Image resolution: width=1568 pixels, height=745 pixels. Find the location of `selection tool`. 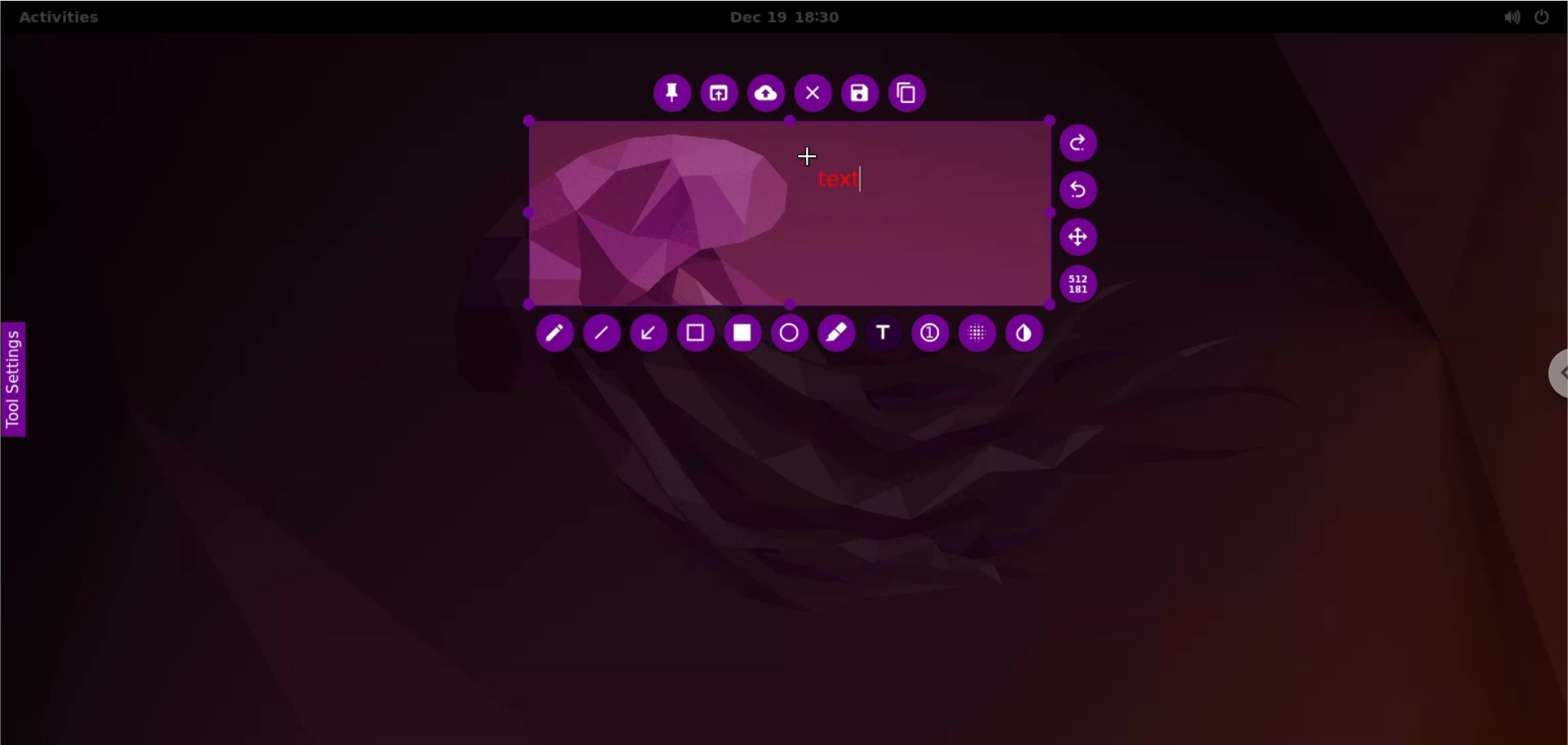

selection tool is located at coordinates (698, 335).